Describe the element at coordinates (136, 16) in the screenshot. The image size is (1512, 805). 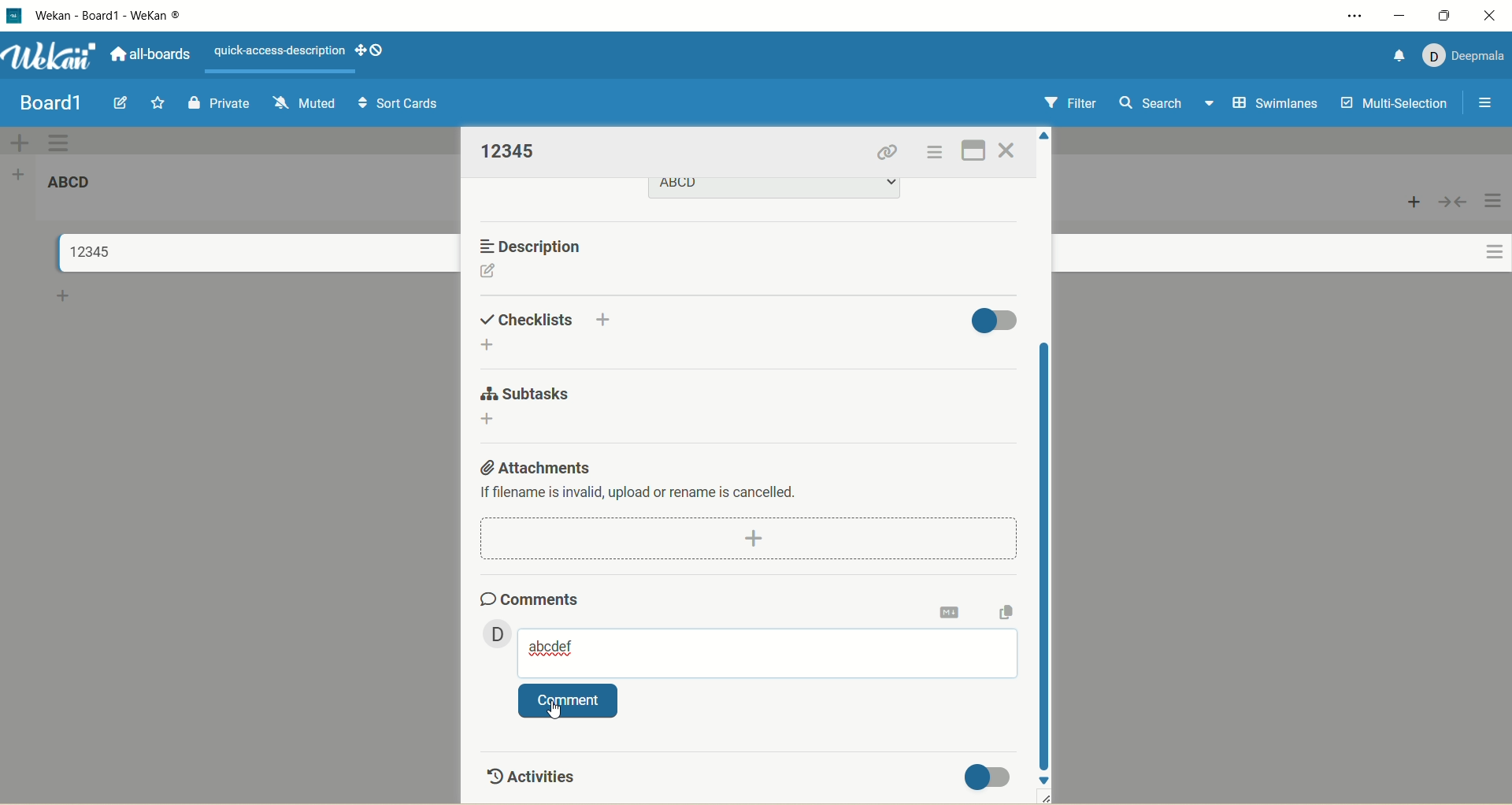
I see `title` at that location.